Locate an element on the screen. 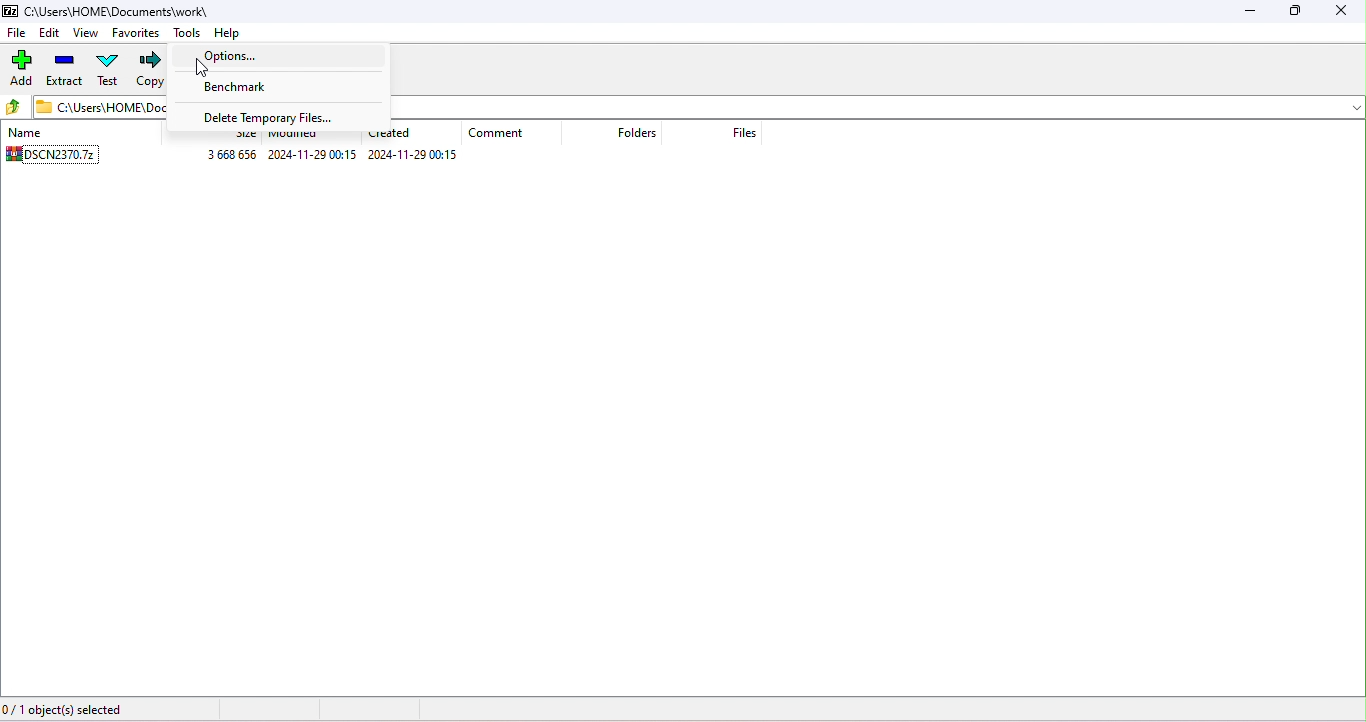  tools is located at coordinates (187, 34).